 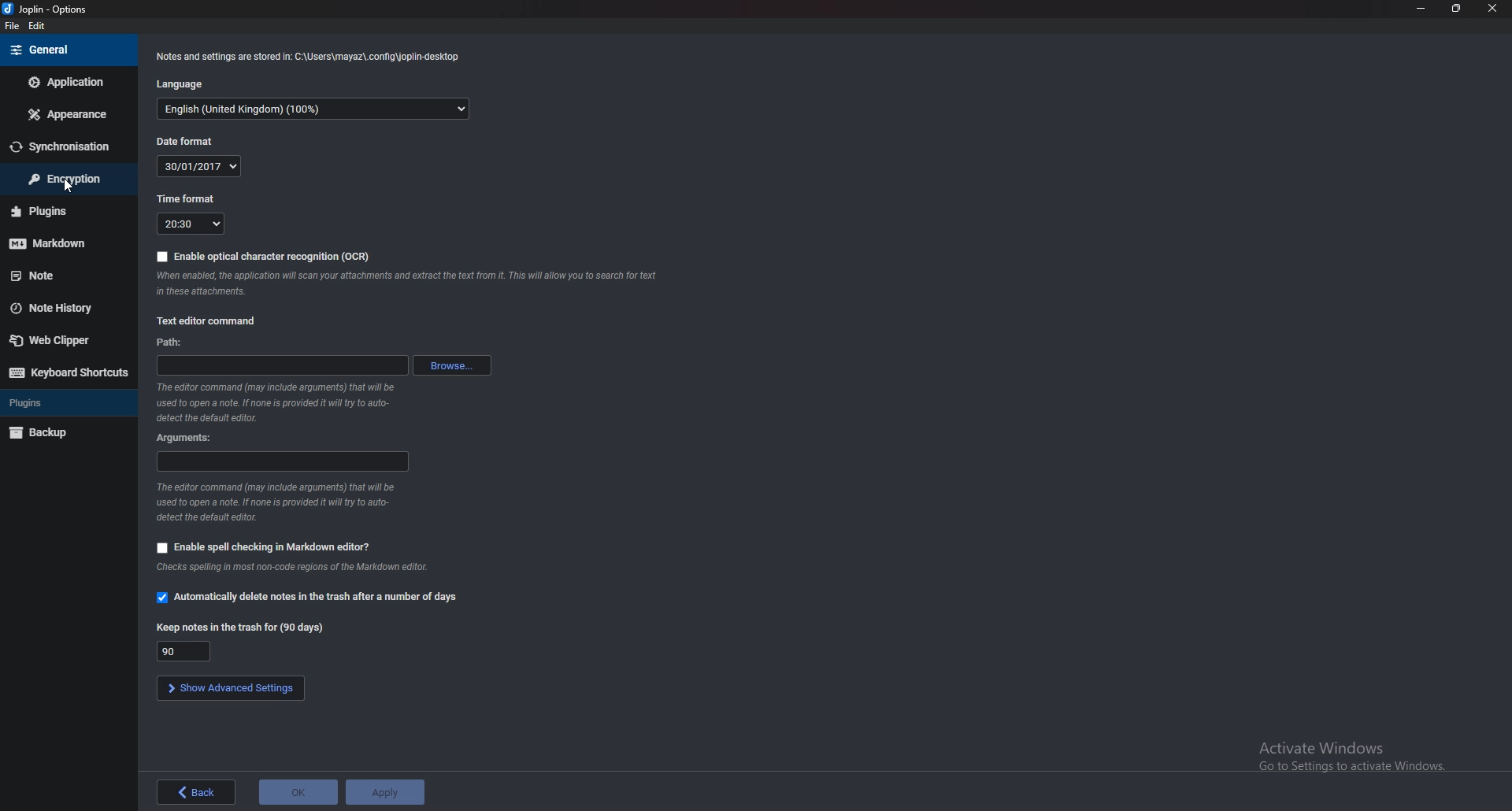 I want to click on browse, so click(x=454, y=365).